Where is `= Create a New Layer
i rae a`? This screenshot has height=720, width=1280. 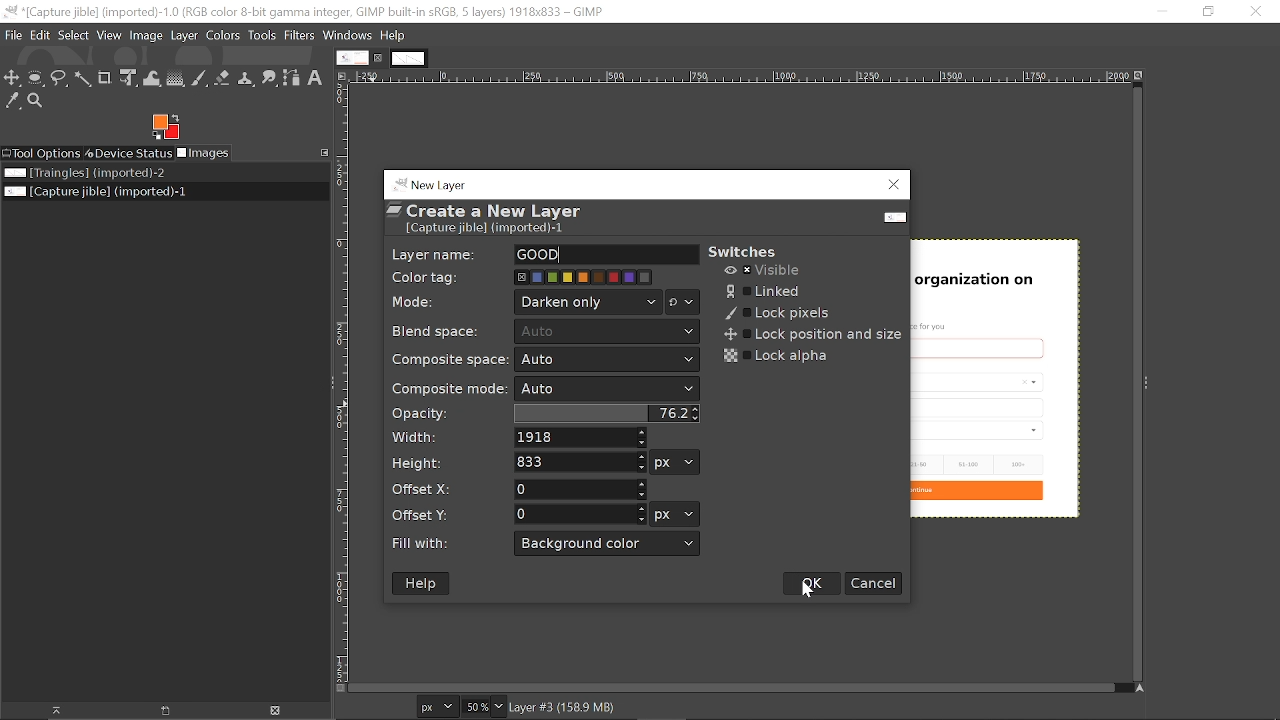
= Create a New Layer
i rae a is located at coordinates (493, 217).